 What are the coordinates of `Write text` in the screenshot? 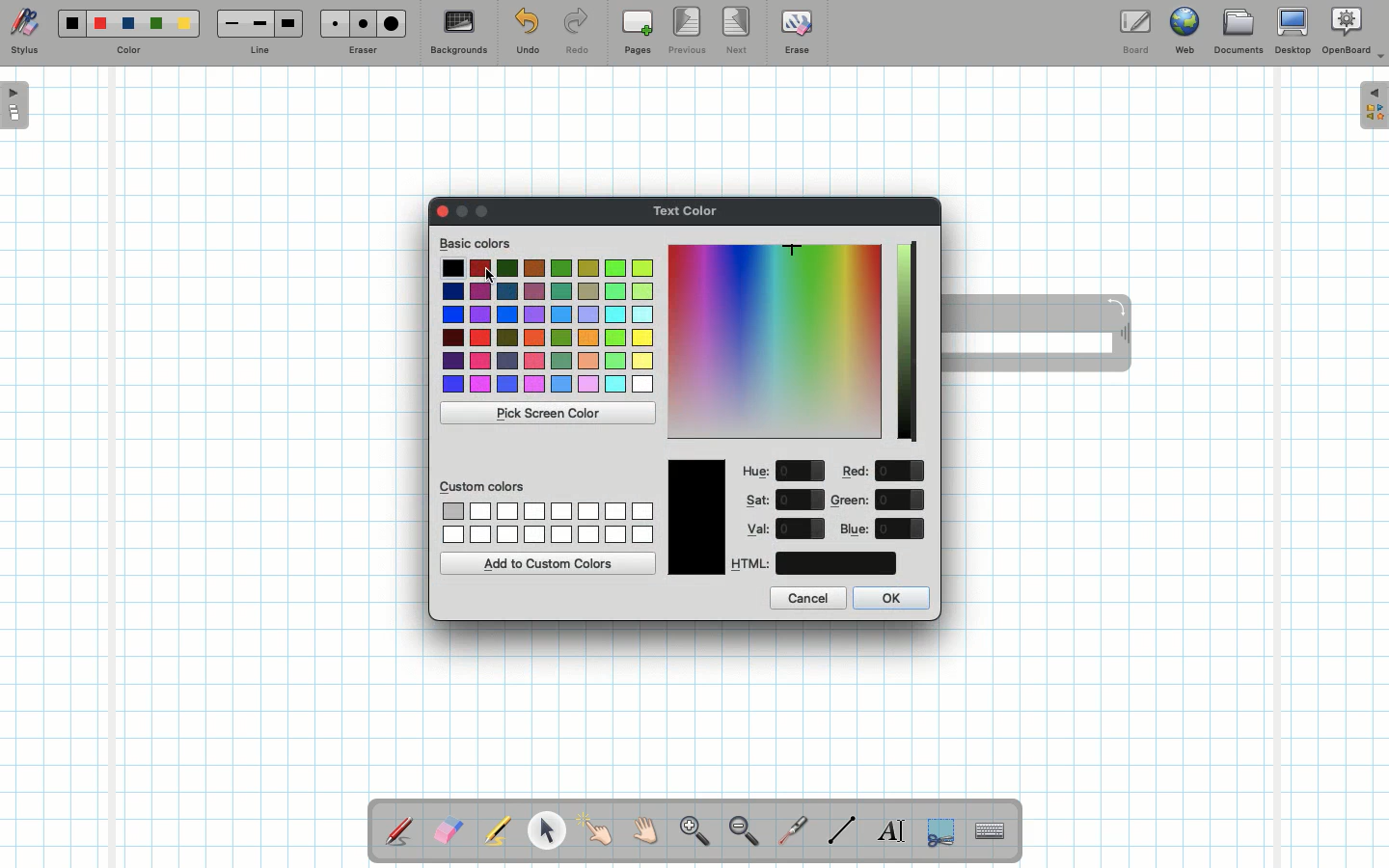 It's located at (893, 827).